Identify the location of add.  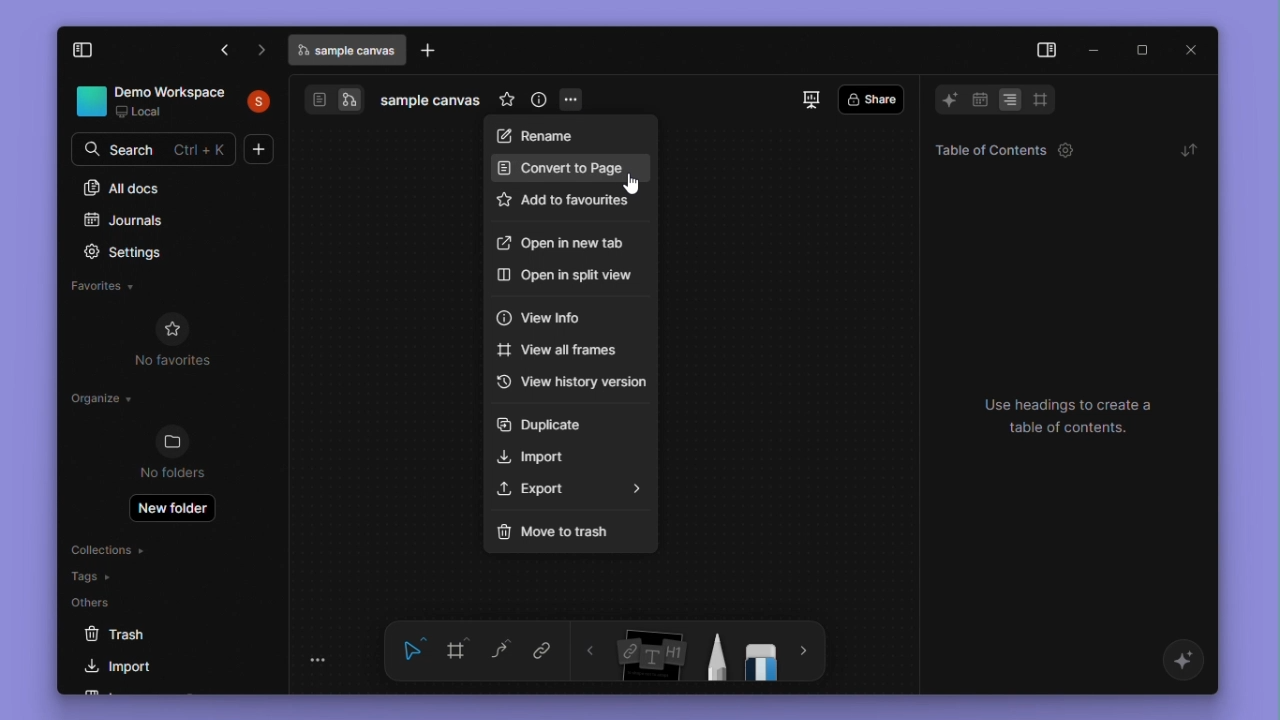
(260, 149).